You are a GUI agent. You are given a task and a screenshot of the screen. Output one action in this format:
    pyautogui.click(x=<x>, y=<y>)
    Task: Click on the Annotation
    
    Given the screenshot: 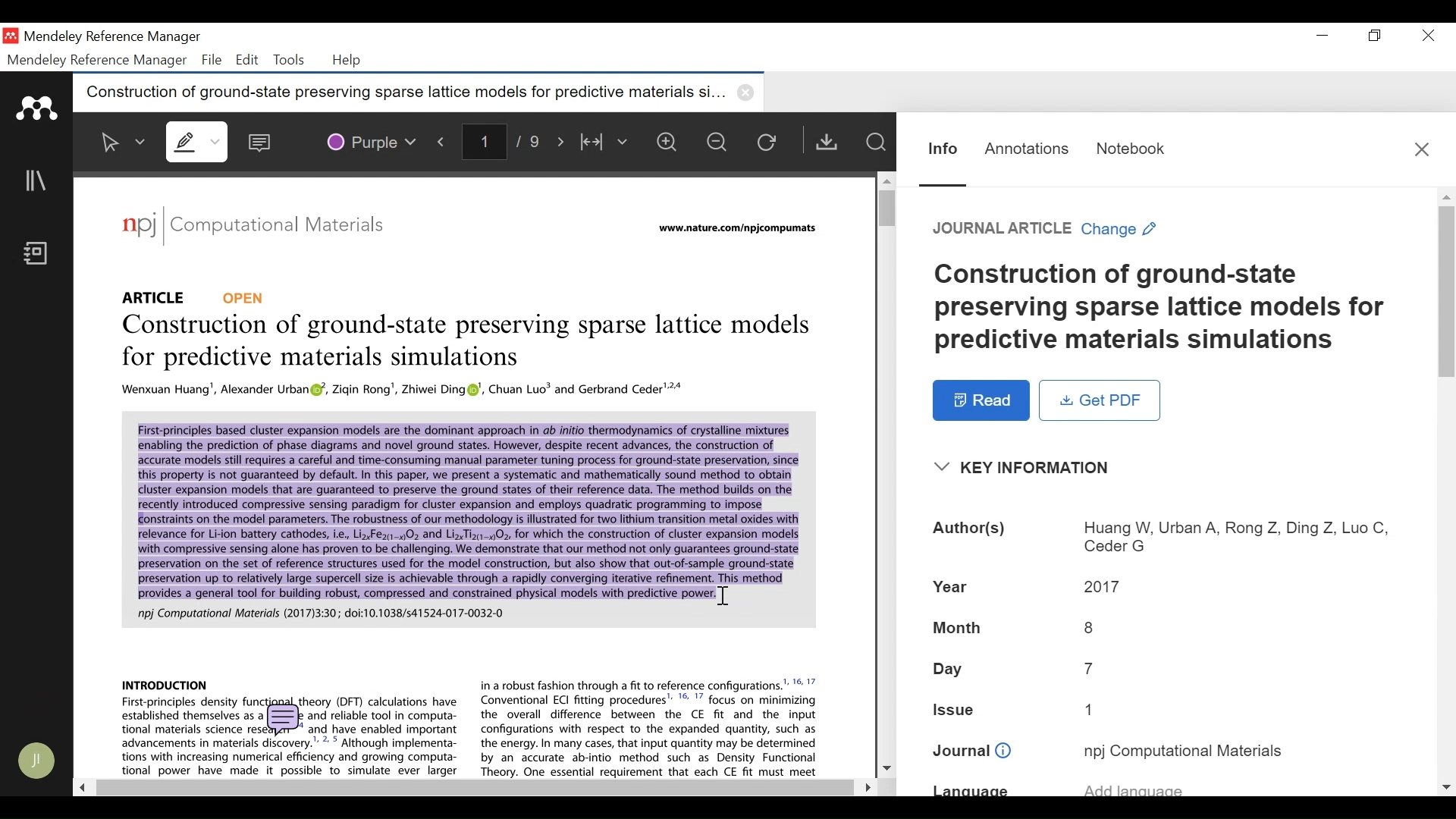 What is the action you would take?
    pyautogui.click(x=1027, y=149)
    